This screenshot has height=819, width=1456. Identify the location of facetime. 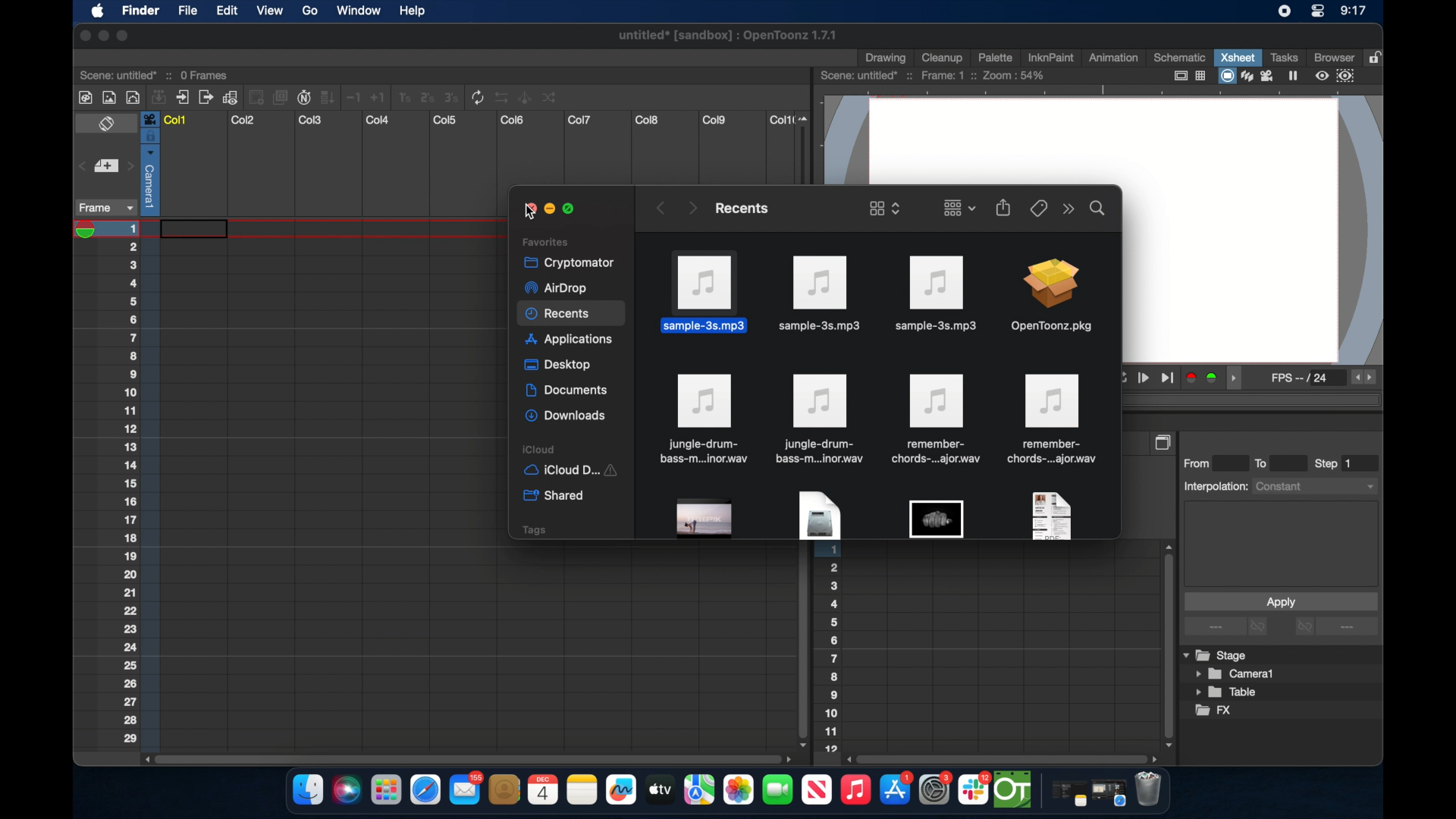
(778, 788).